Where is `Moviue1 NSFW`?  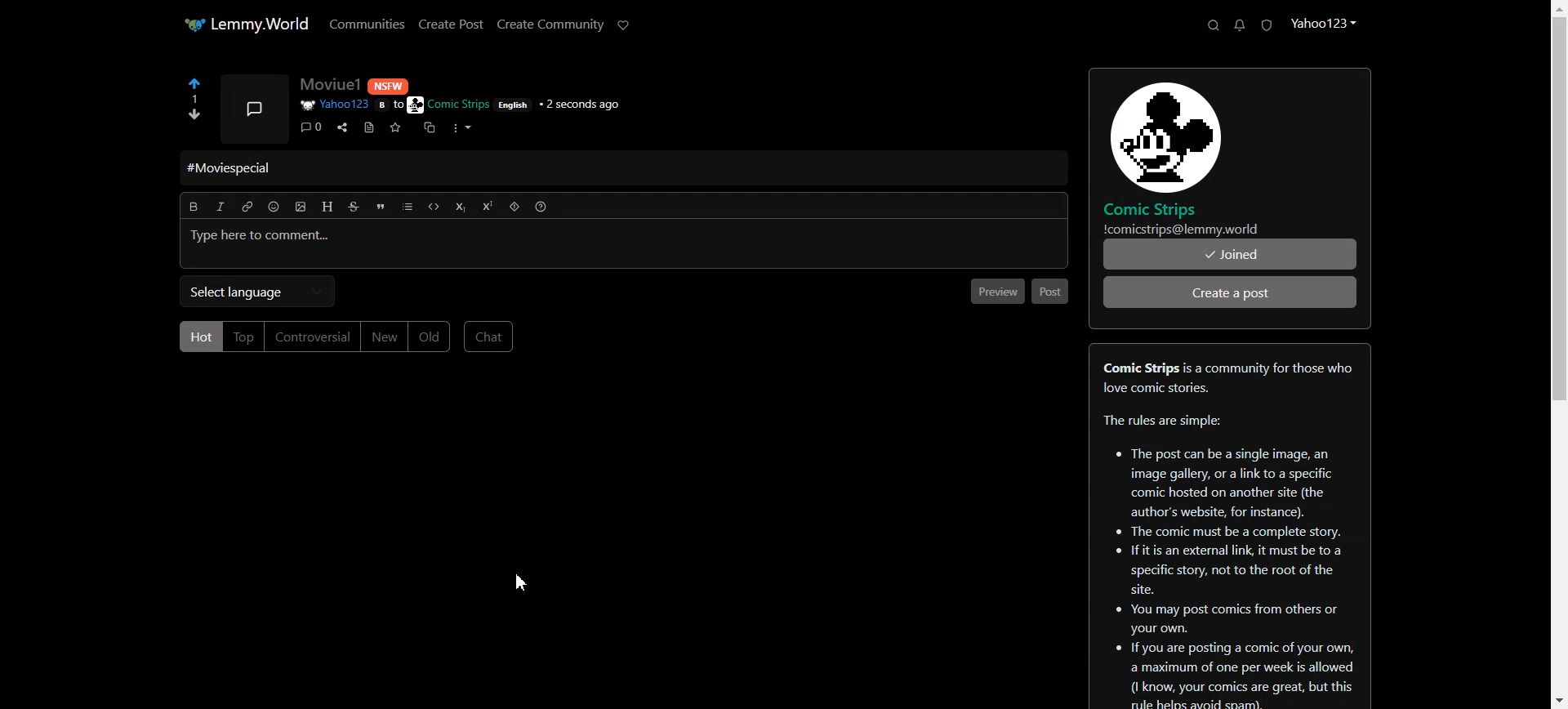 Moviue1 NSFW is located at coordinates (374, 84).